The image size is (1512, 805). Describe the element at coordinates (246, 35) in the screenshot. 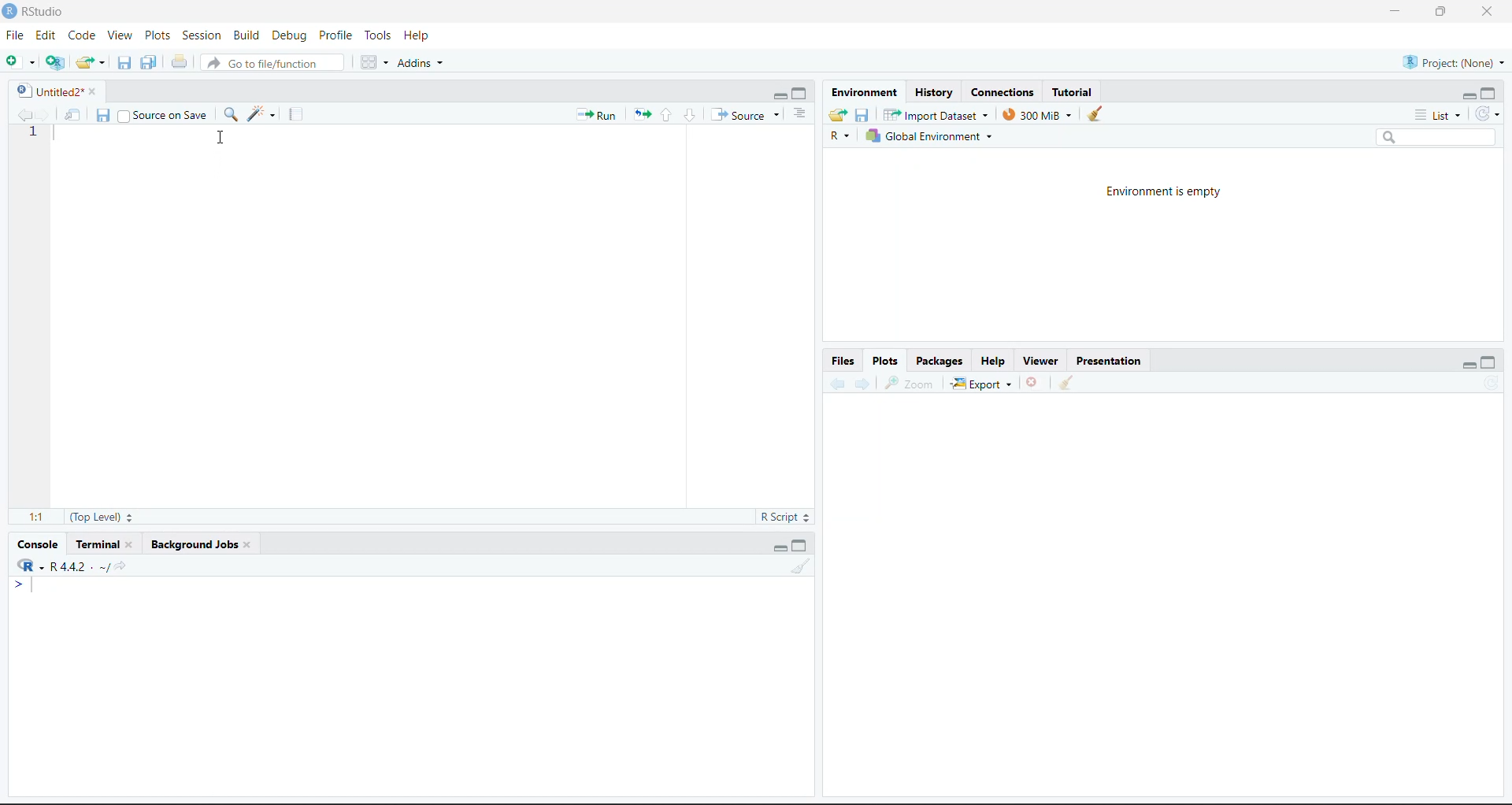

I see `Build` at that location.